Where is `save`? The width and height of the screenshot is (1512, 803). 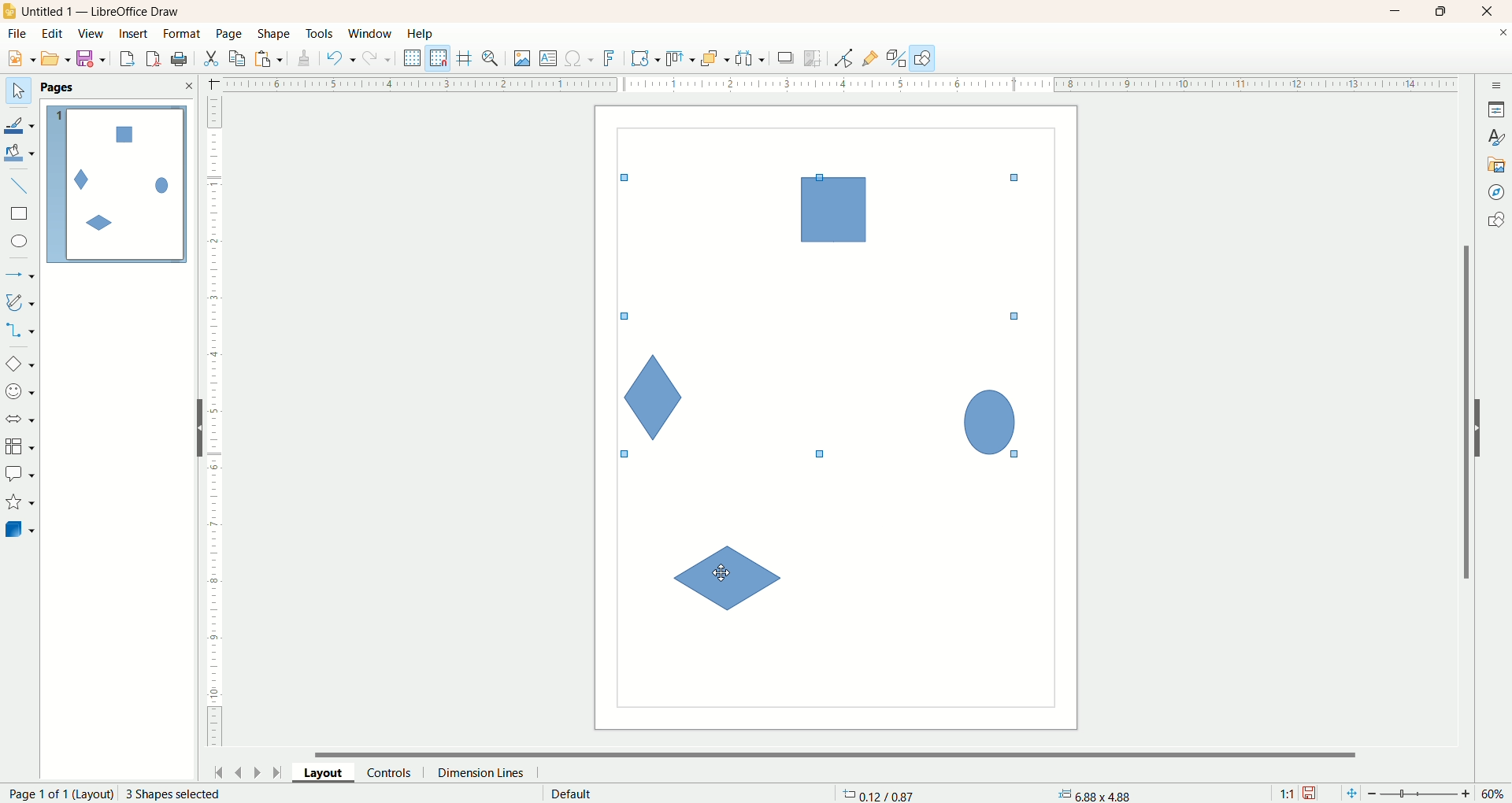 save is located at coordinates (94, 59).